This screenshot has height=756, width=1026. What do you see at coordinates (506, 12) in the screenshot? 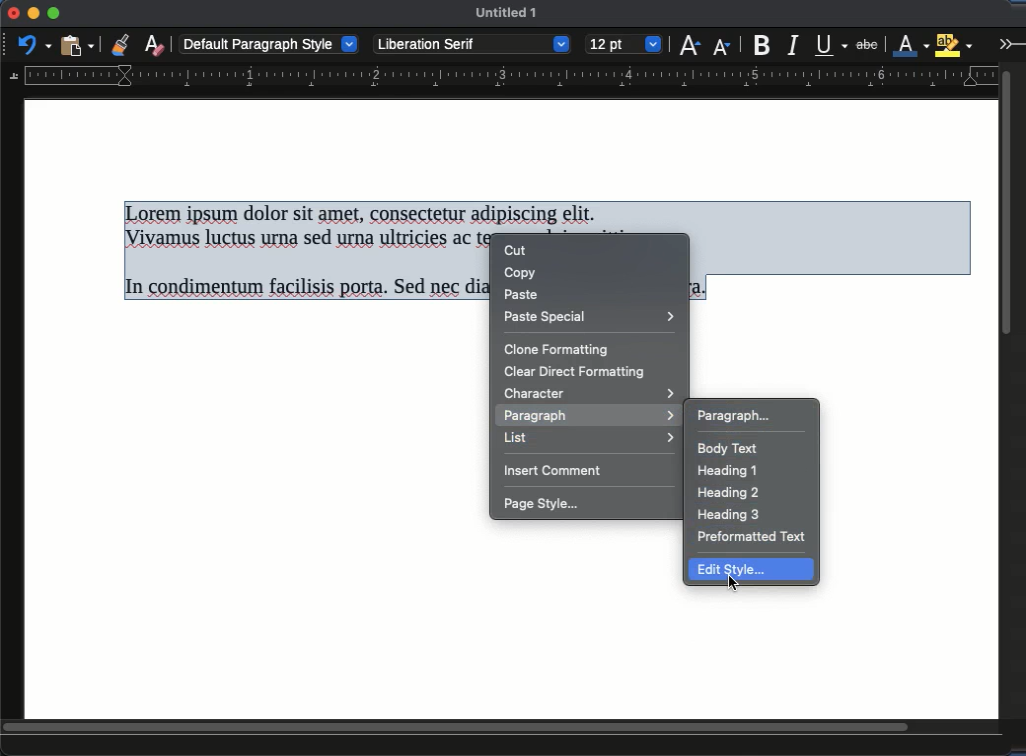
I see `untitled 1` at bounding box center [506, 12].